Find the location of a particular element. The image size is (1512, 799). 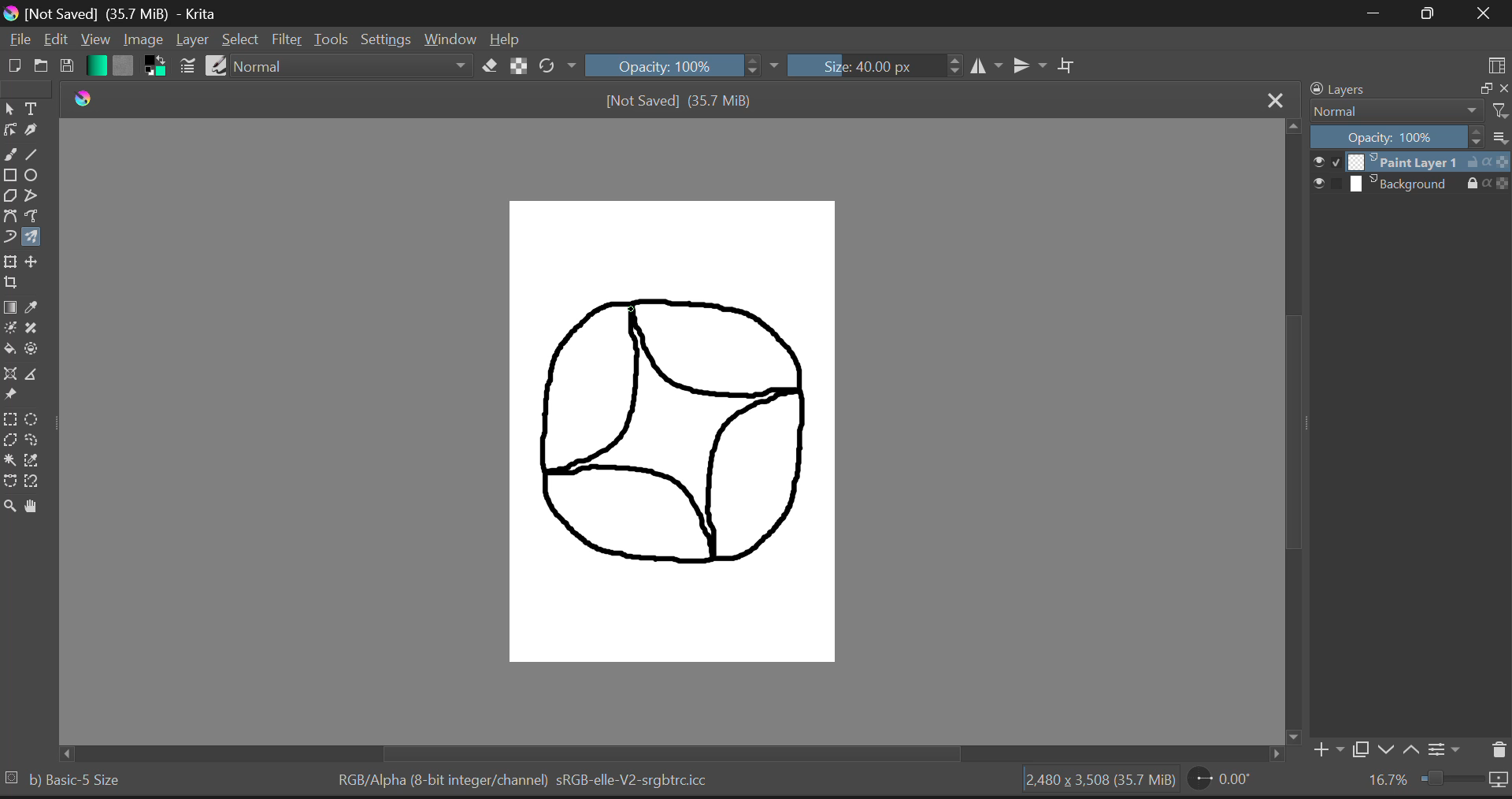

Magnetic Curve Selection is located at coordinates (32, 481).